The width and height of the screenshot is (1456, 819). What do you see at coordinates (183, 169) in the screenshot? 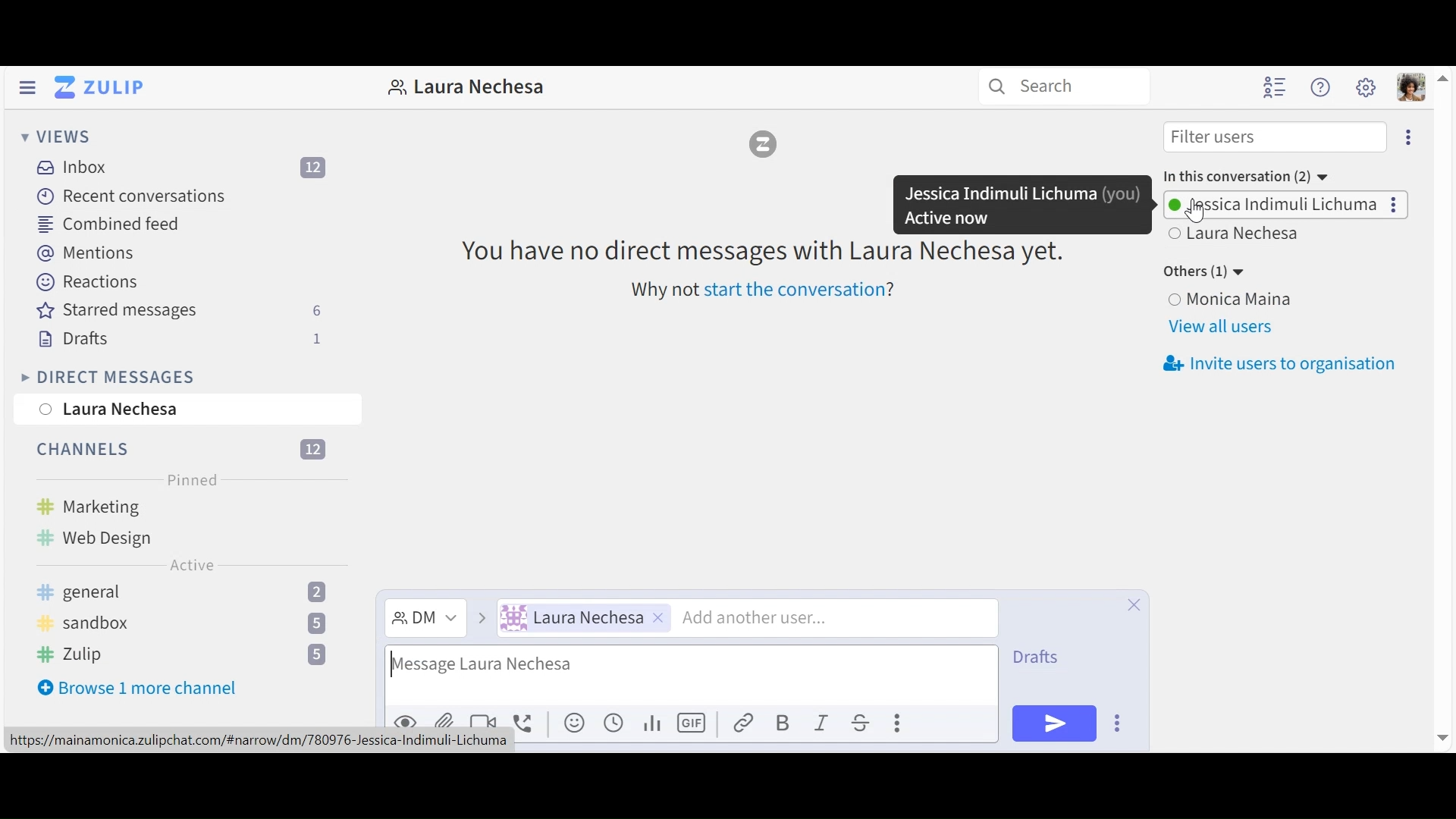
I see `Inboz` at bounding box center [183, 169].